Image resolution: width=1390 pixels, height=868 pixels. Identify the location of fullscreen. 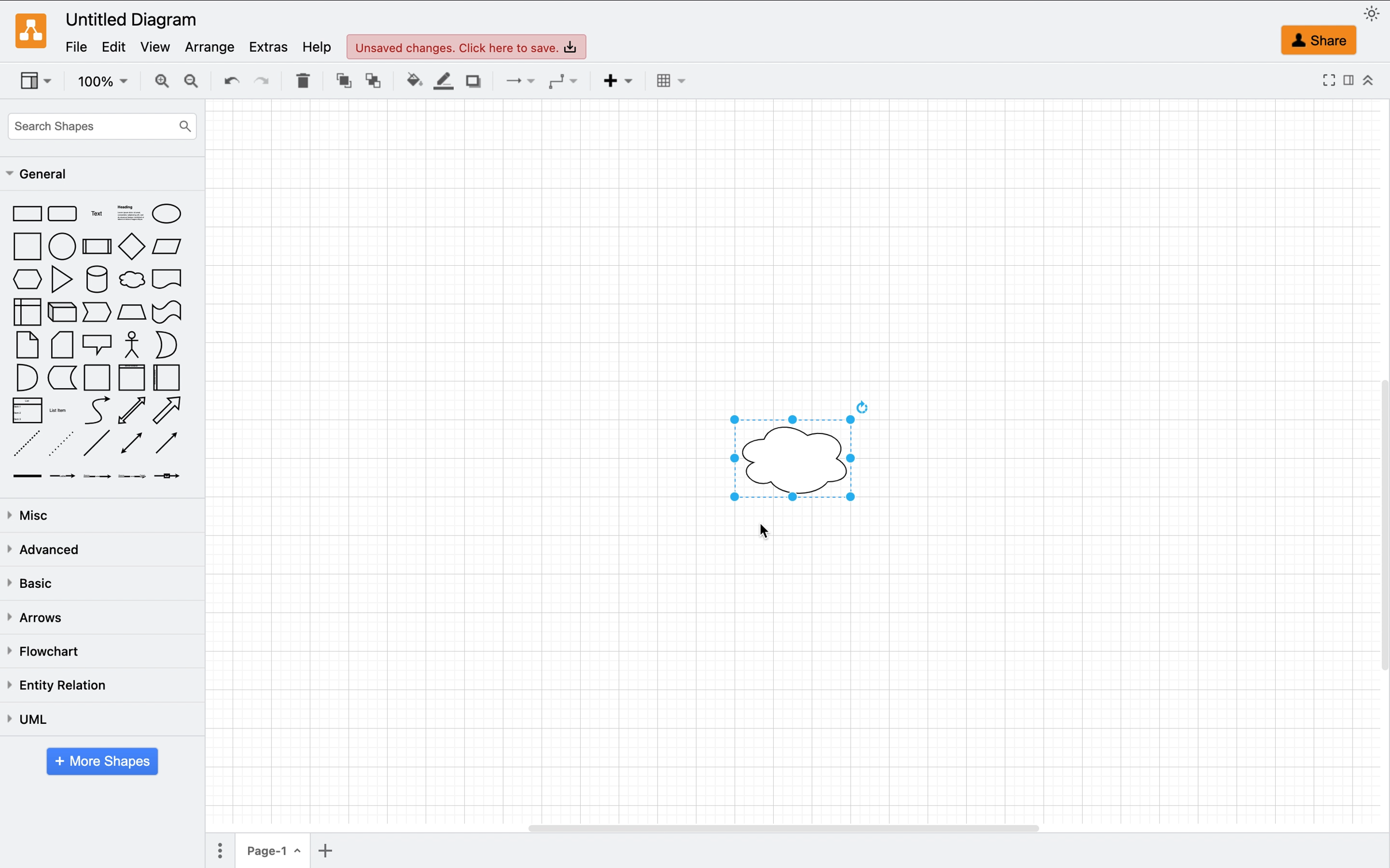
(1326, 80).